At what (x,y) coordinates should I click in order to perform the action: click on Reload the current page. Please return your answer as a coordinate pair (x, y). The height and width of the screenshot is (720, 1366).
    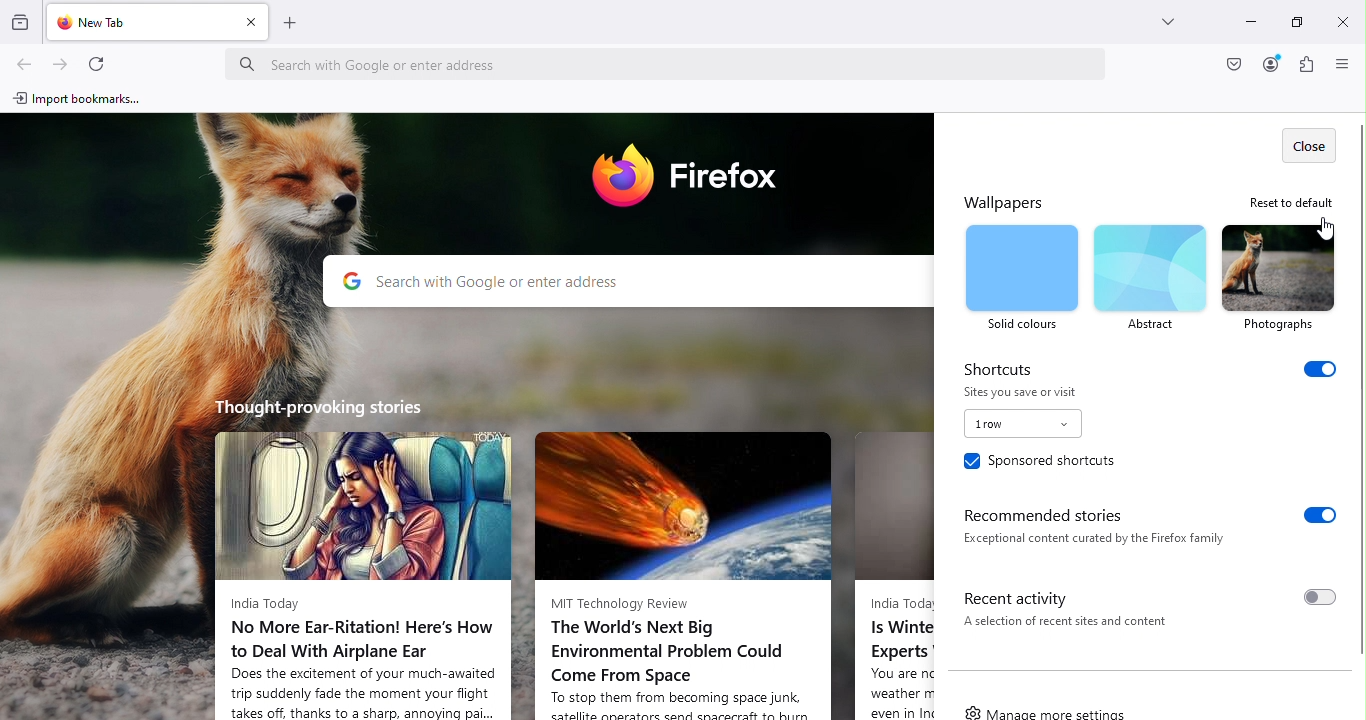
    Looking at the image, I should click on (97, 62).